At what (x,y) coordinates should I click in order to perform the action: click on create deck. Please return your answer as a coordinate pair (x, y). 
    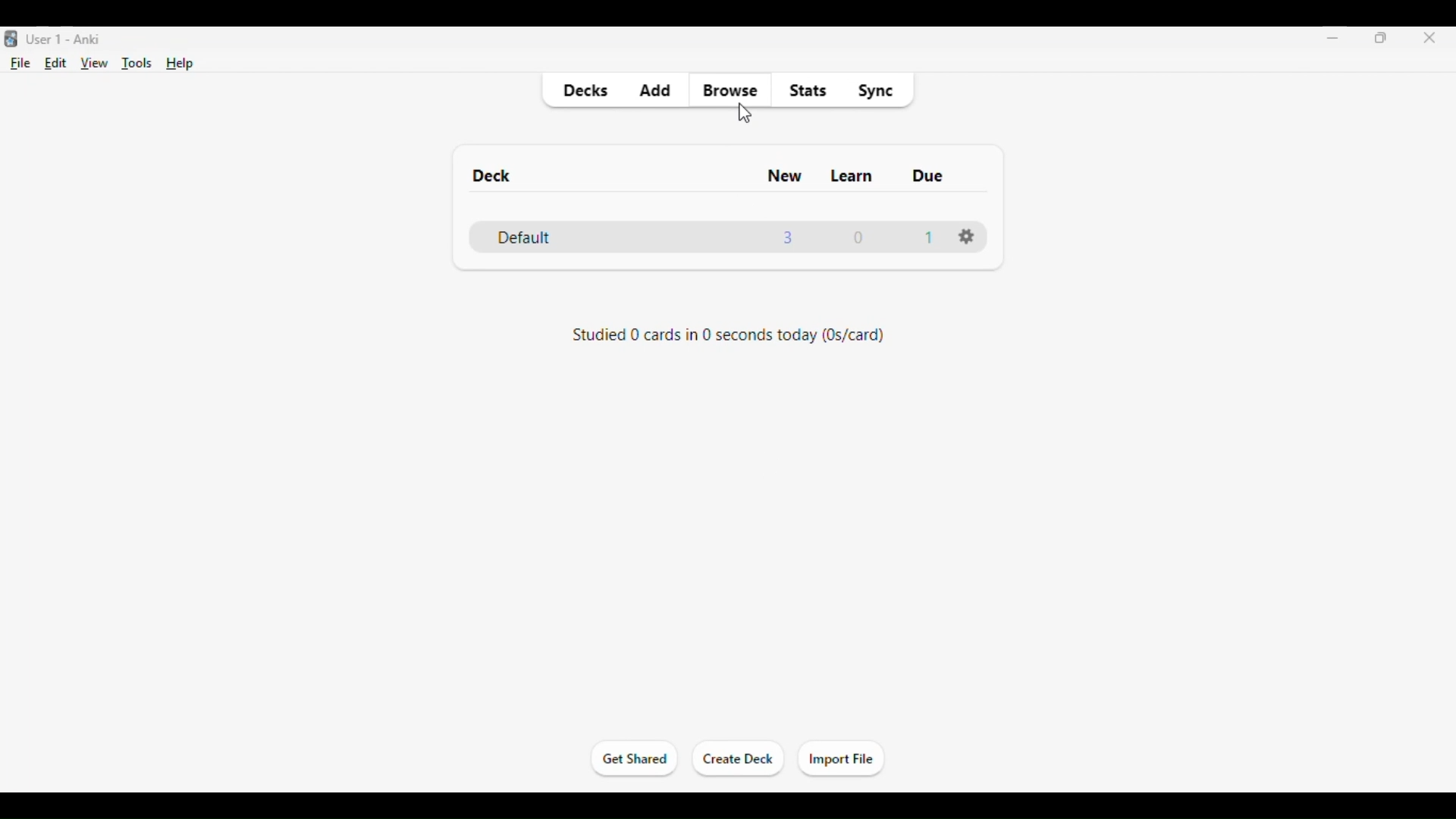
    Looking at the image, I should click on (739, 759).